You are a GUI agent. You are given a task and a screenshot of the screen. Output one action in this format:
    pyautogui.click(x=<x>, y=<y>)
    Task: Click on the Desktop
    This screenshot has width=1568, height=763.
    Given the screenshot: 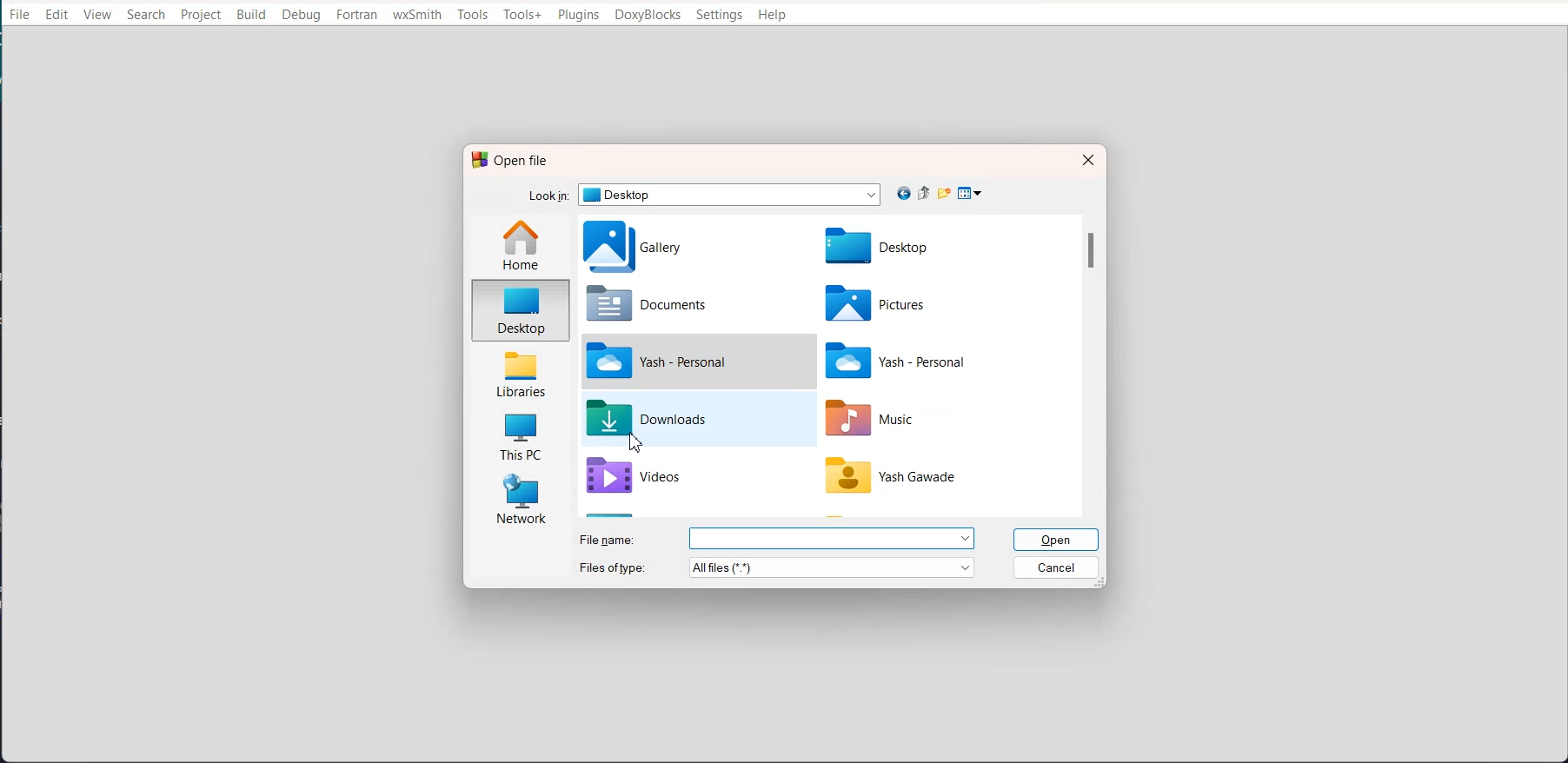 What is the action you would take?
    pyautogui.click(x=522, y=309)
    